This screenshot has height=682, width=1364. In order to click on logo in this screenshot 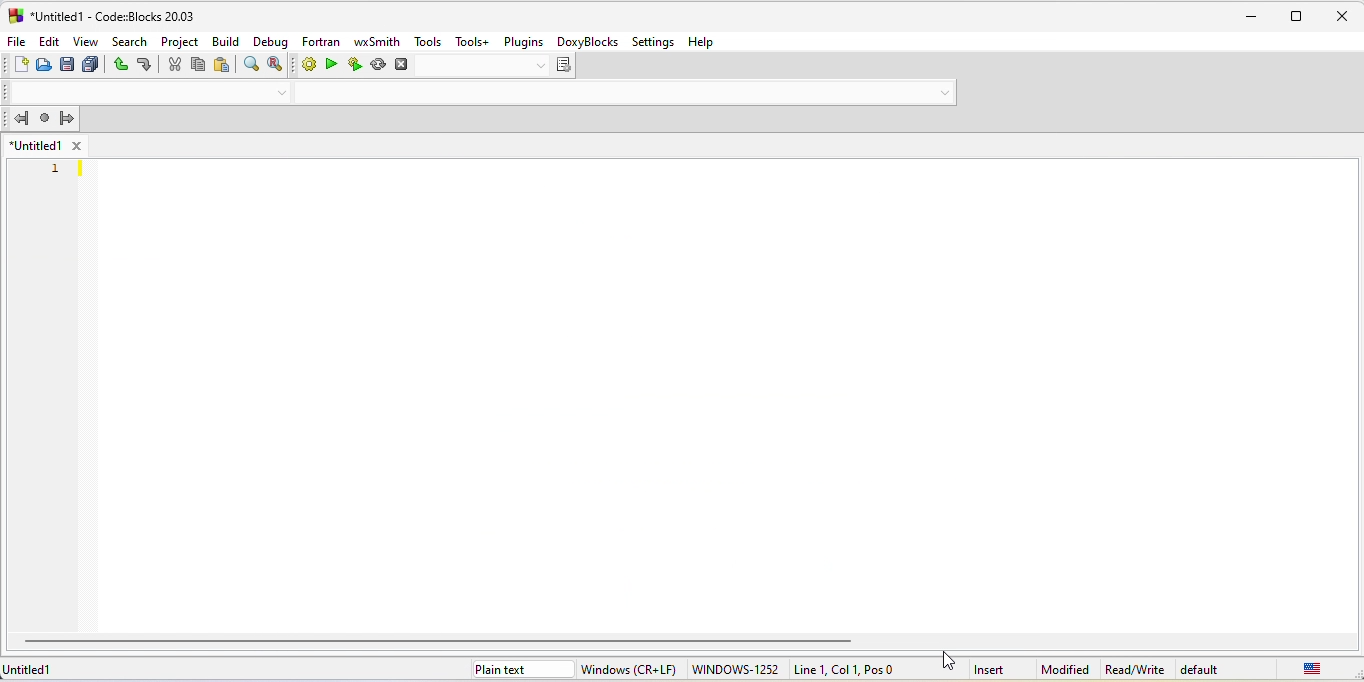, I will do `click(15, 16)`.